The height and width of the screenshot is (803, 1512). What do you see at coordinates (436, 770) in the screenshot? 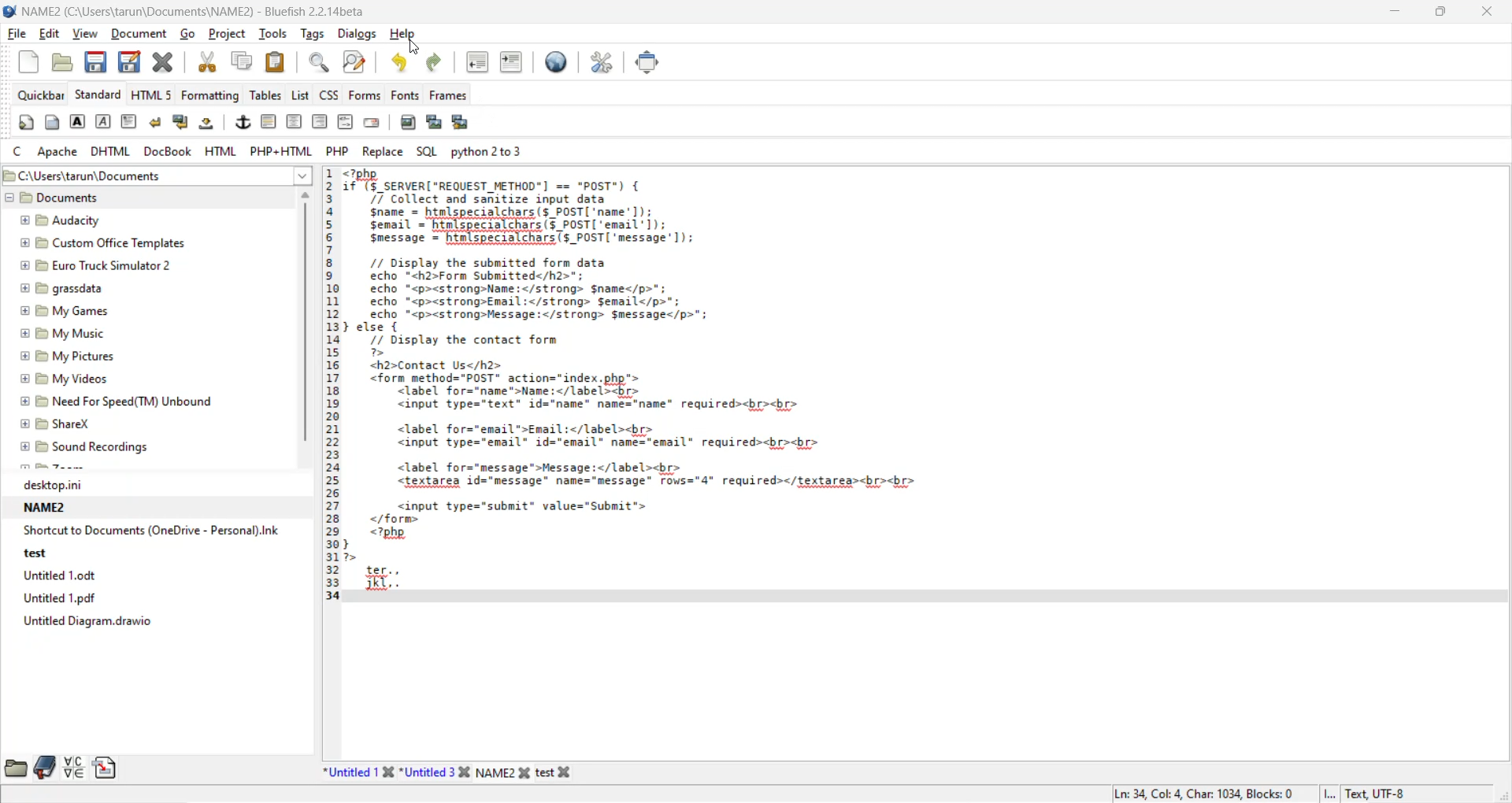
I see `Untitled 3` at bounding box center [436, 770].